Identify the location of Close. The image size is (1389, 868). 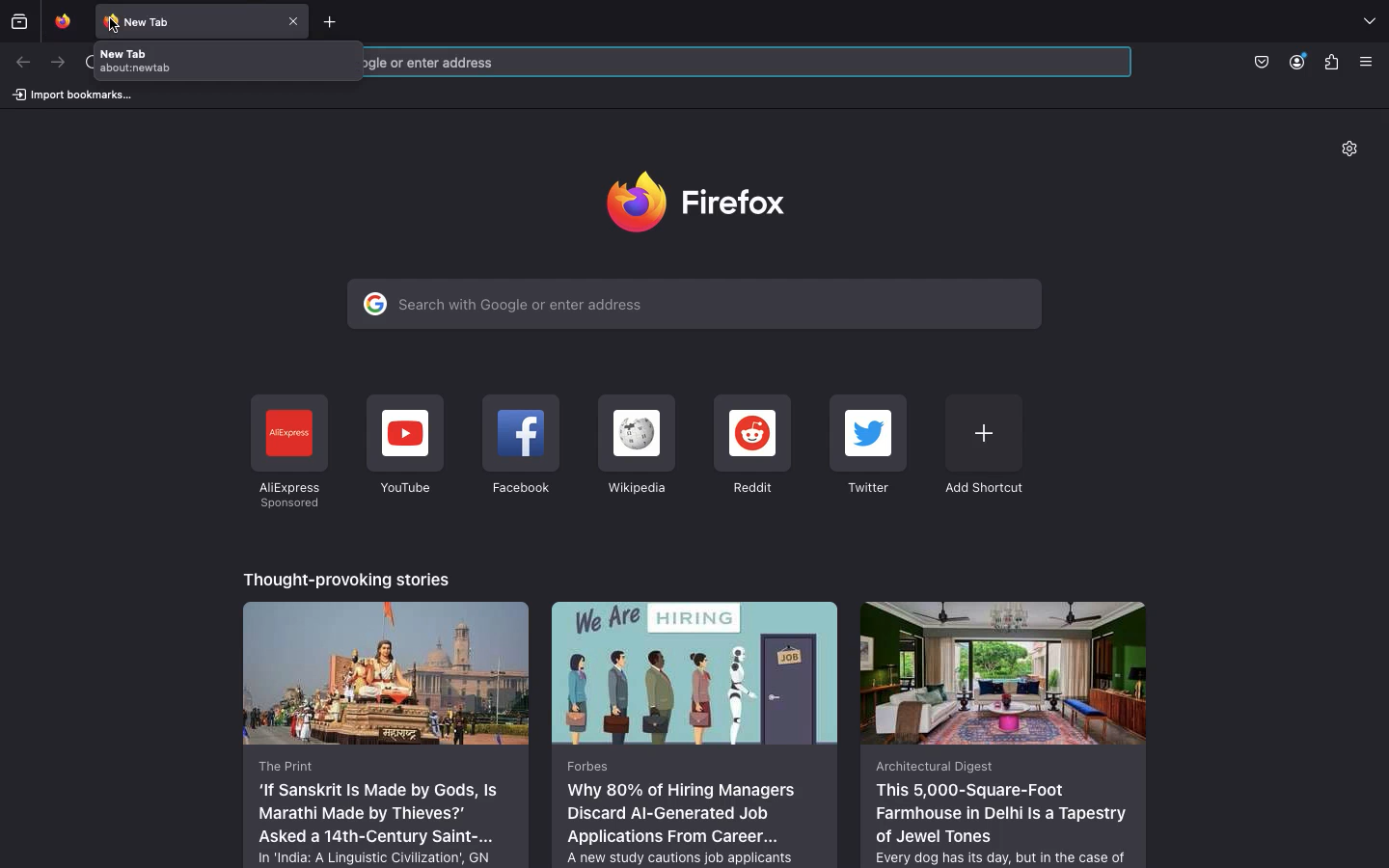
(295, 19).